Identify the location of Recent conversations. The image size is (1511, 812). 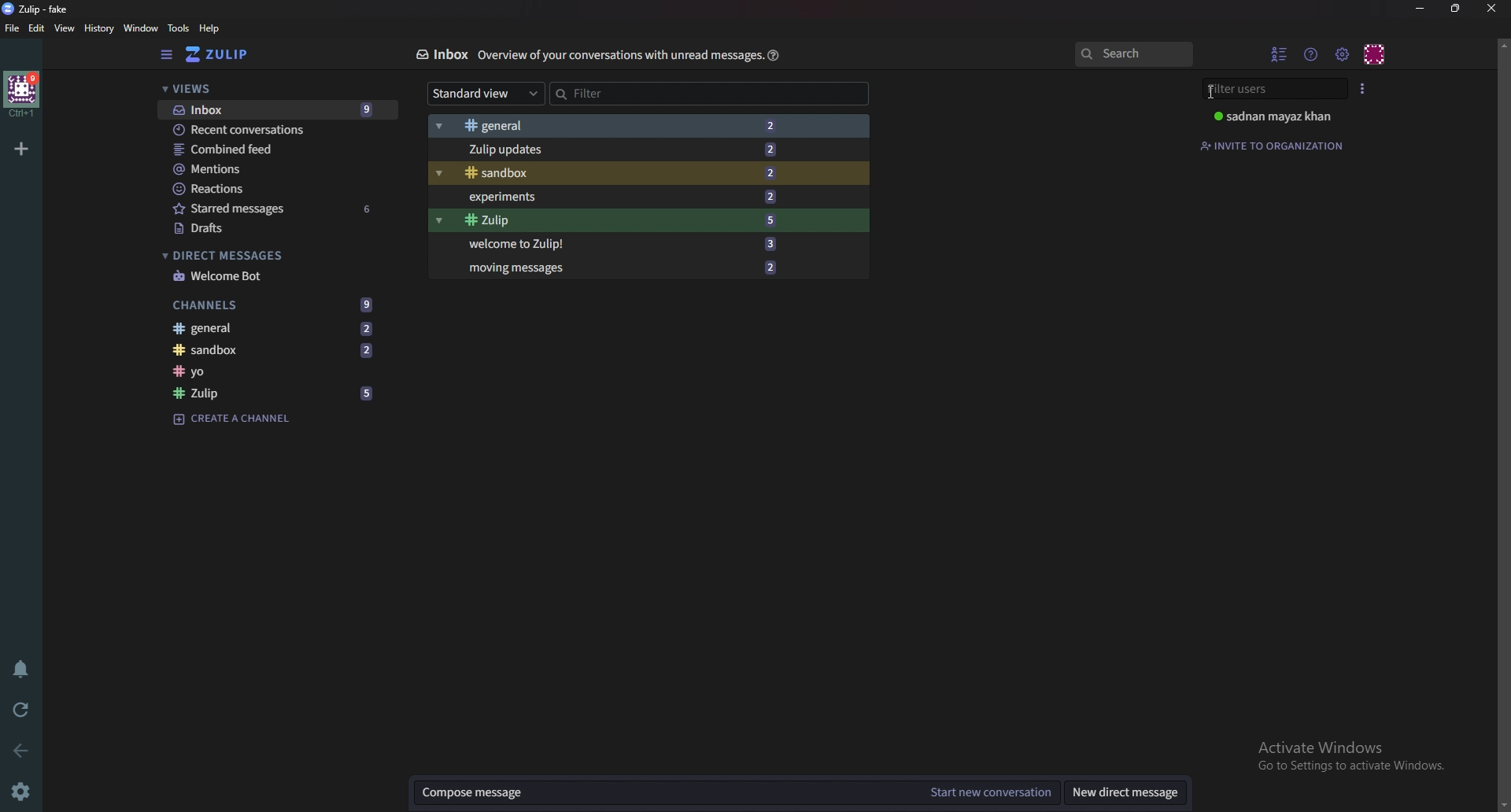
(270, 130).